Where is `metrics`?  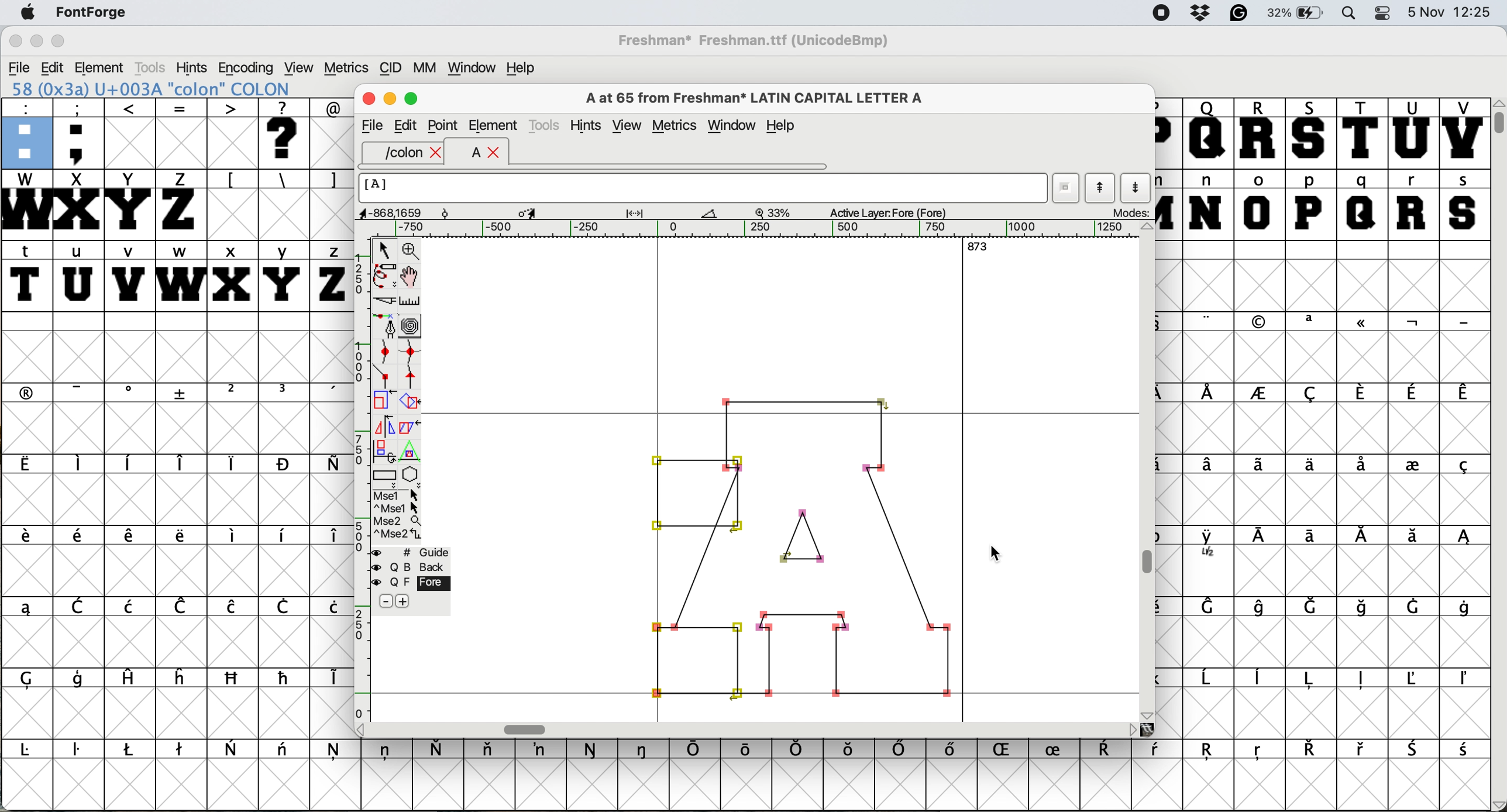 metrics is located at coordinates (345, 67).